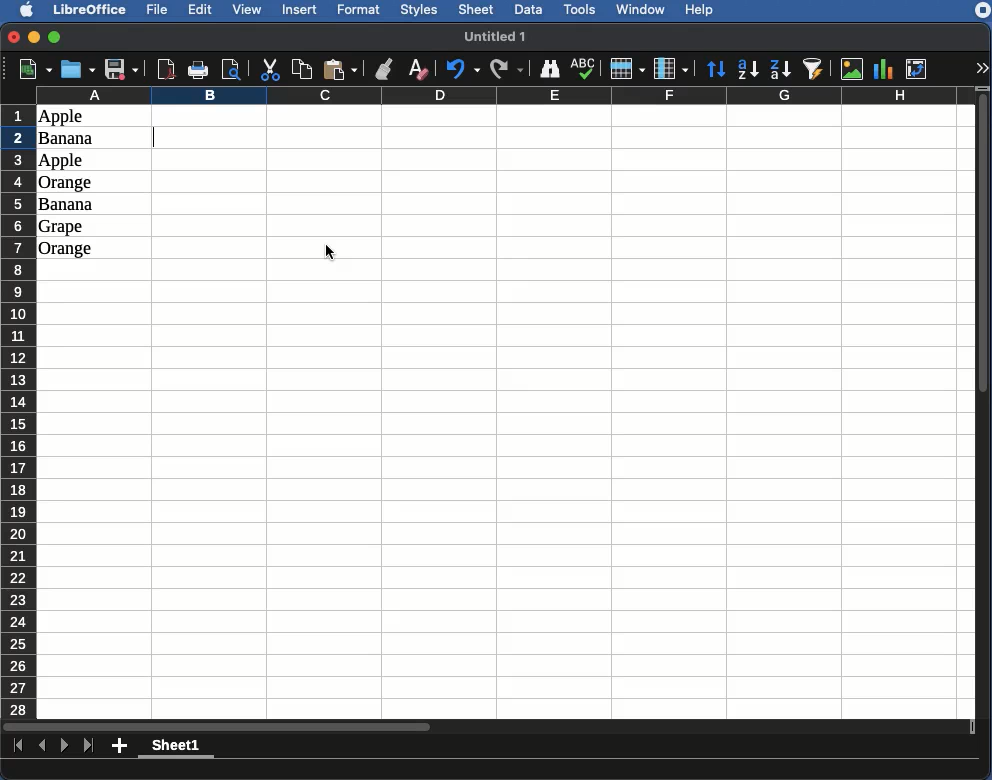  I want to click on New, so click(30, 69).